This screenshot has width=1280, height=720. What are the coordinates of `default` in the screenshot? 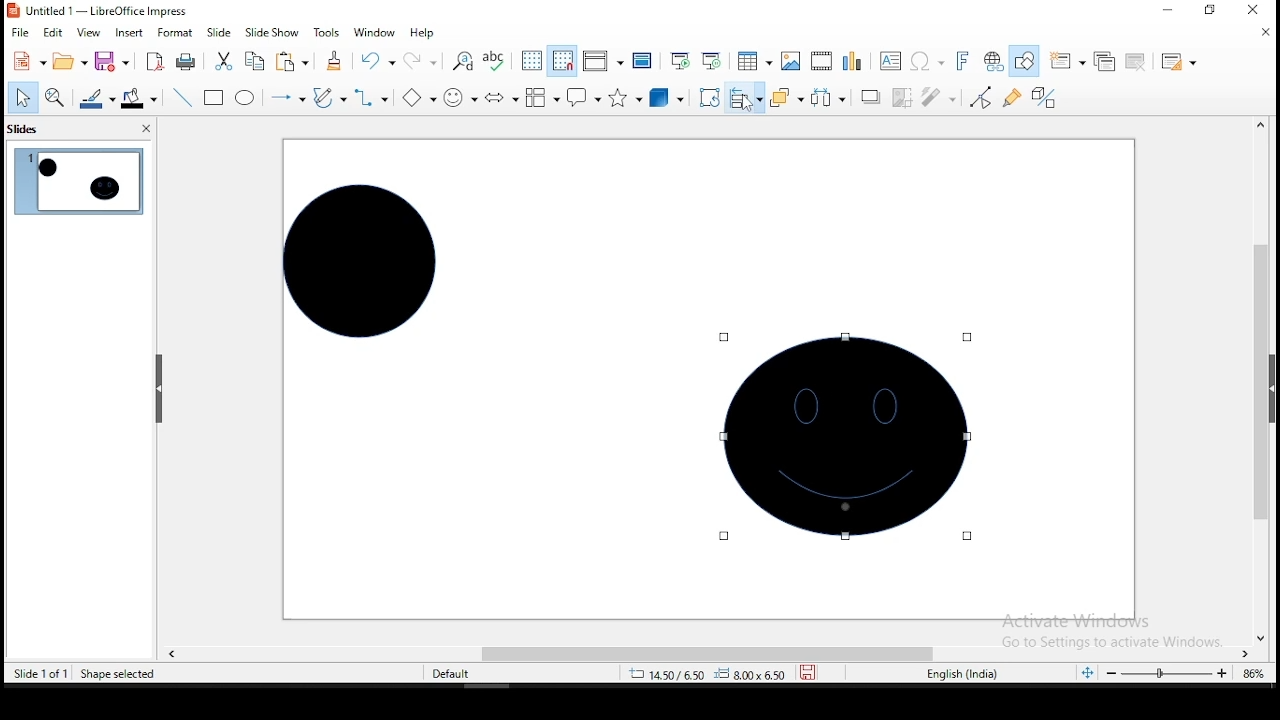 It's located at (451, 673).